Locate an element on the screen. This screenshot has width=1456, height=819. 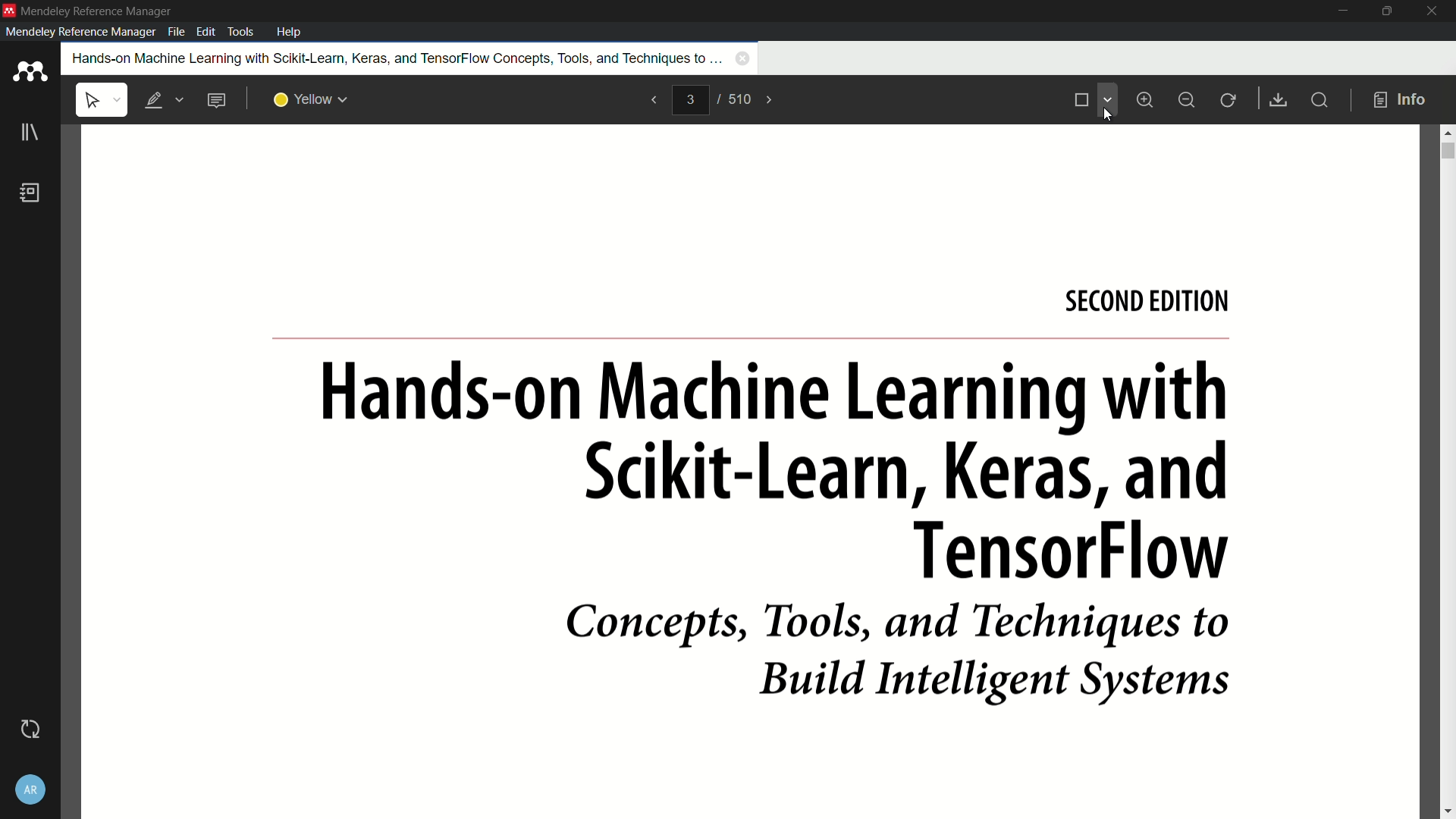
current page is located at coordinates (690, 99).